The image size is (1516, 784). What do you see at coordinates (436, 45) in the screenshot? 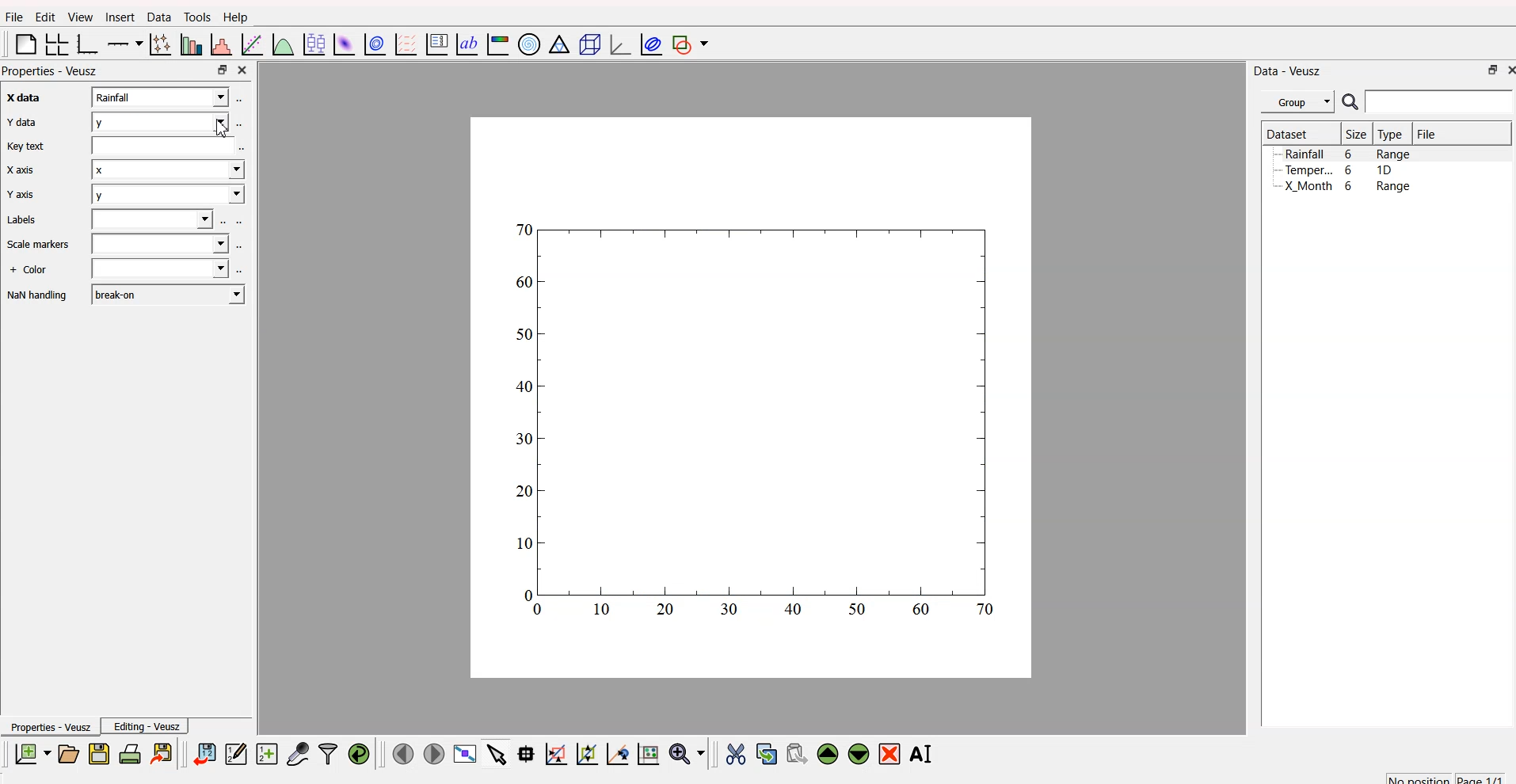
I see `plot key` at bounding box center [436, 45].